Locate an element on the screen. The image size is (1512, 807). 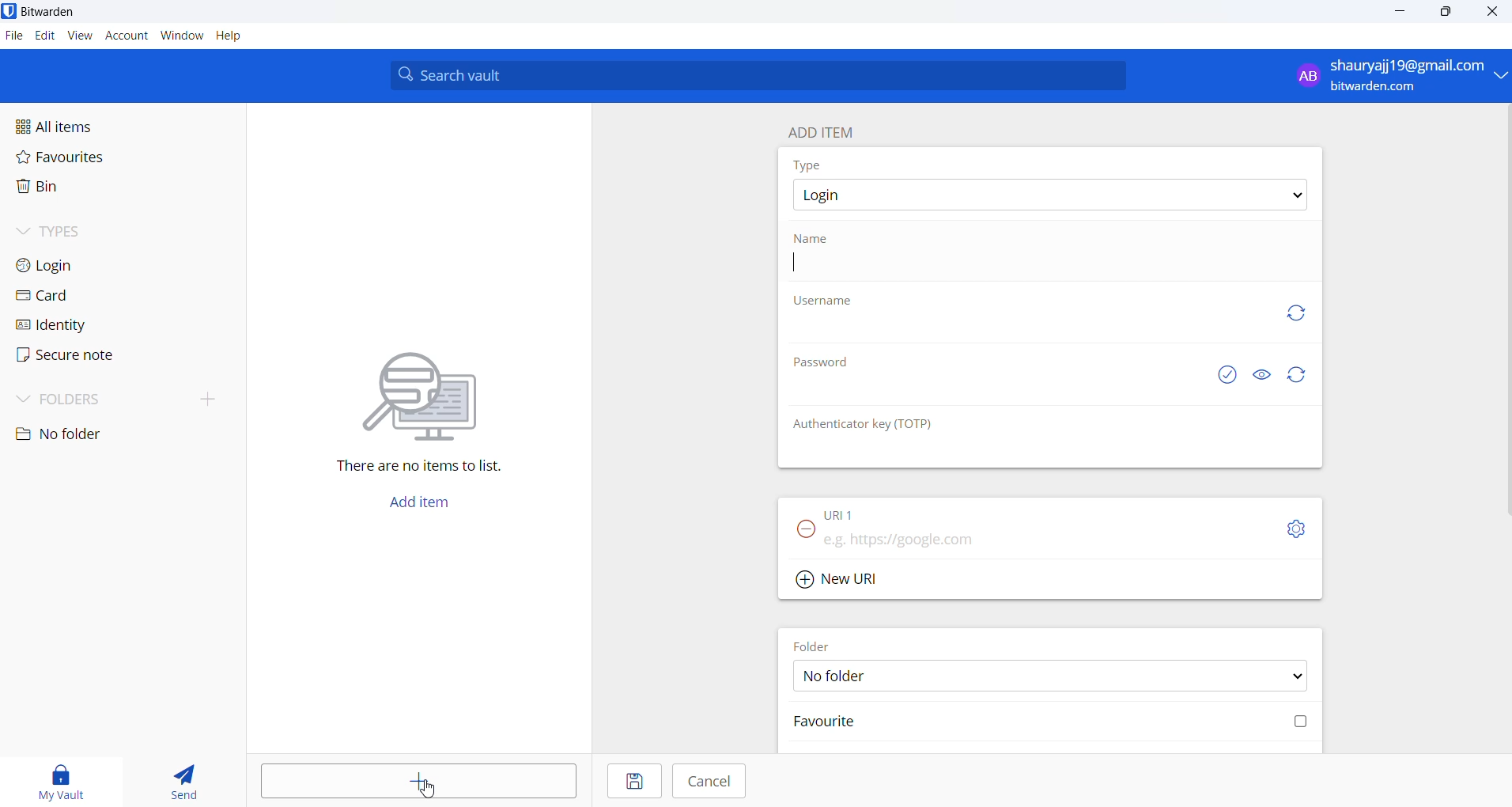
account is located at coordinates (127, 37).